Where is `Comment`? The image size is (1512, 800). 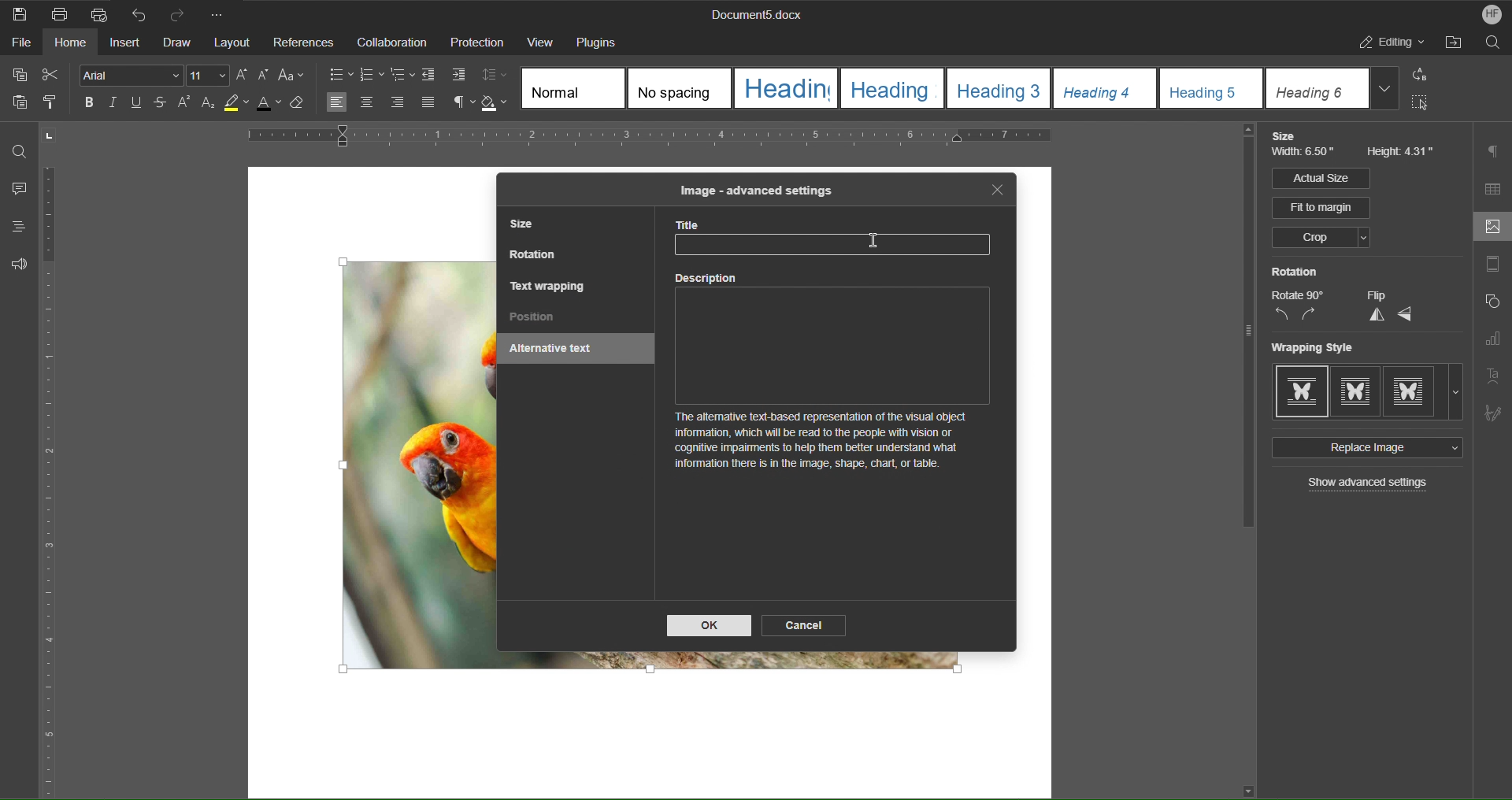
Comment is located at coordinates (16, 190).